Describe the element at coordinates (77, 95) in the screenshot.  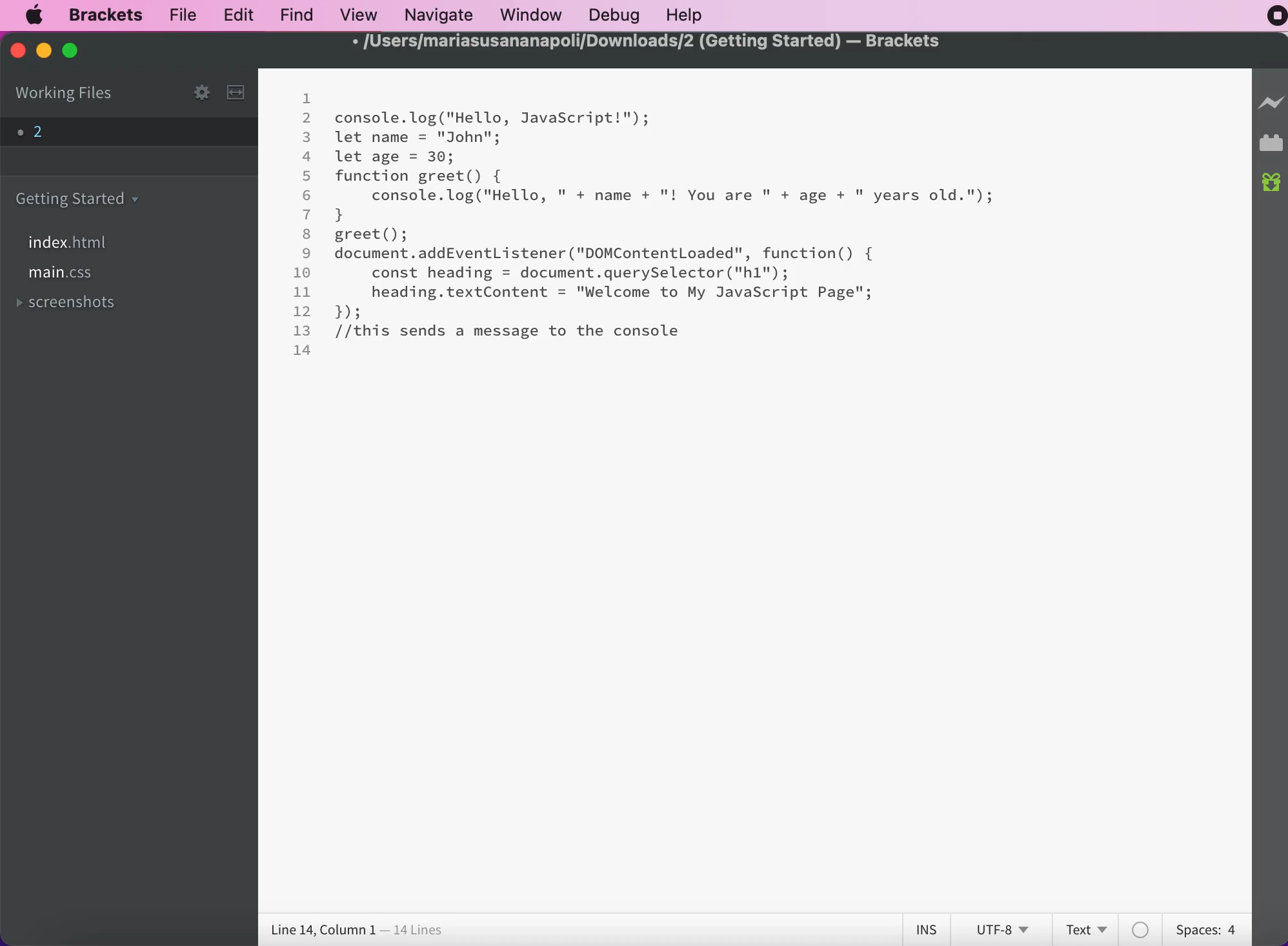
I see `working files` at that location.